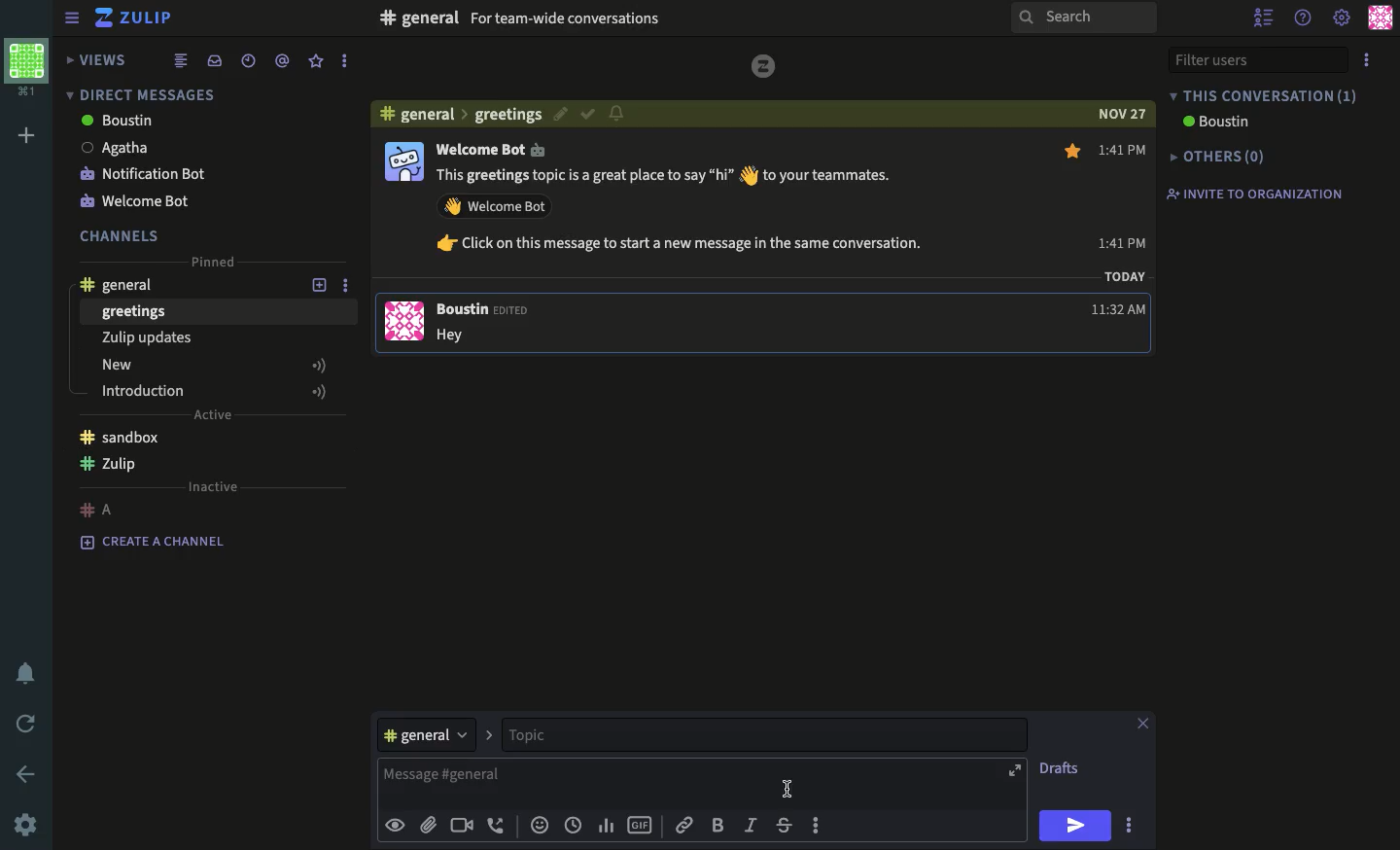  Describe the element at coordinates (93, 59) in the screenshot. I see `views` at that location.